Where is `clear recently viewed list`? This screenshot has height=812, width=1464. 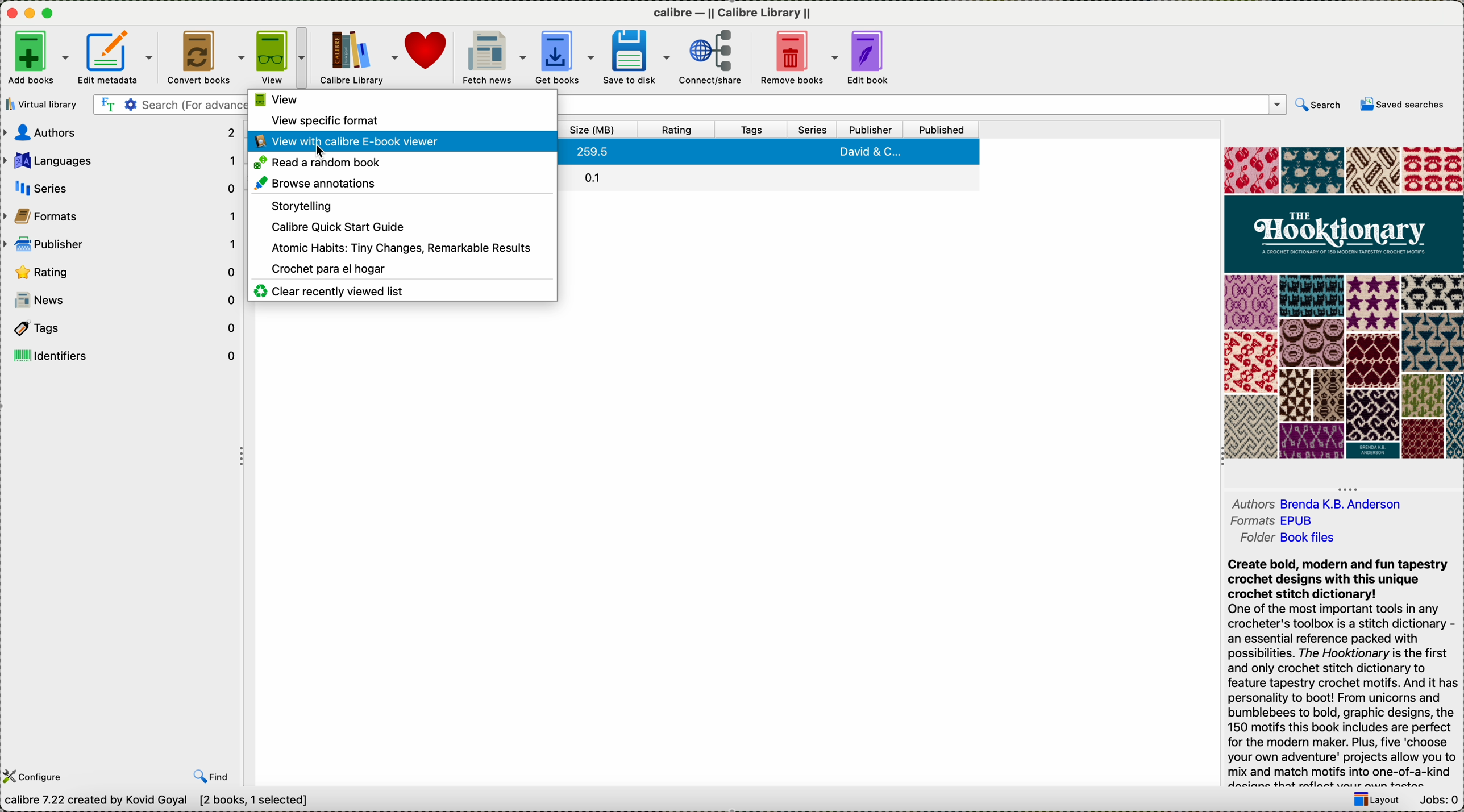 clear recently viewed list is located at coordinates (329, 291).